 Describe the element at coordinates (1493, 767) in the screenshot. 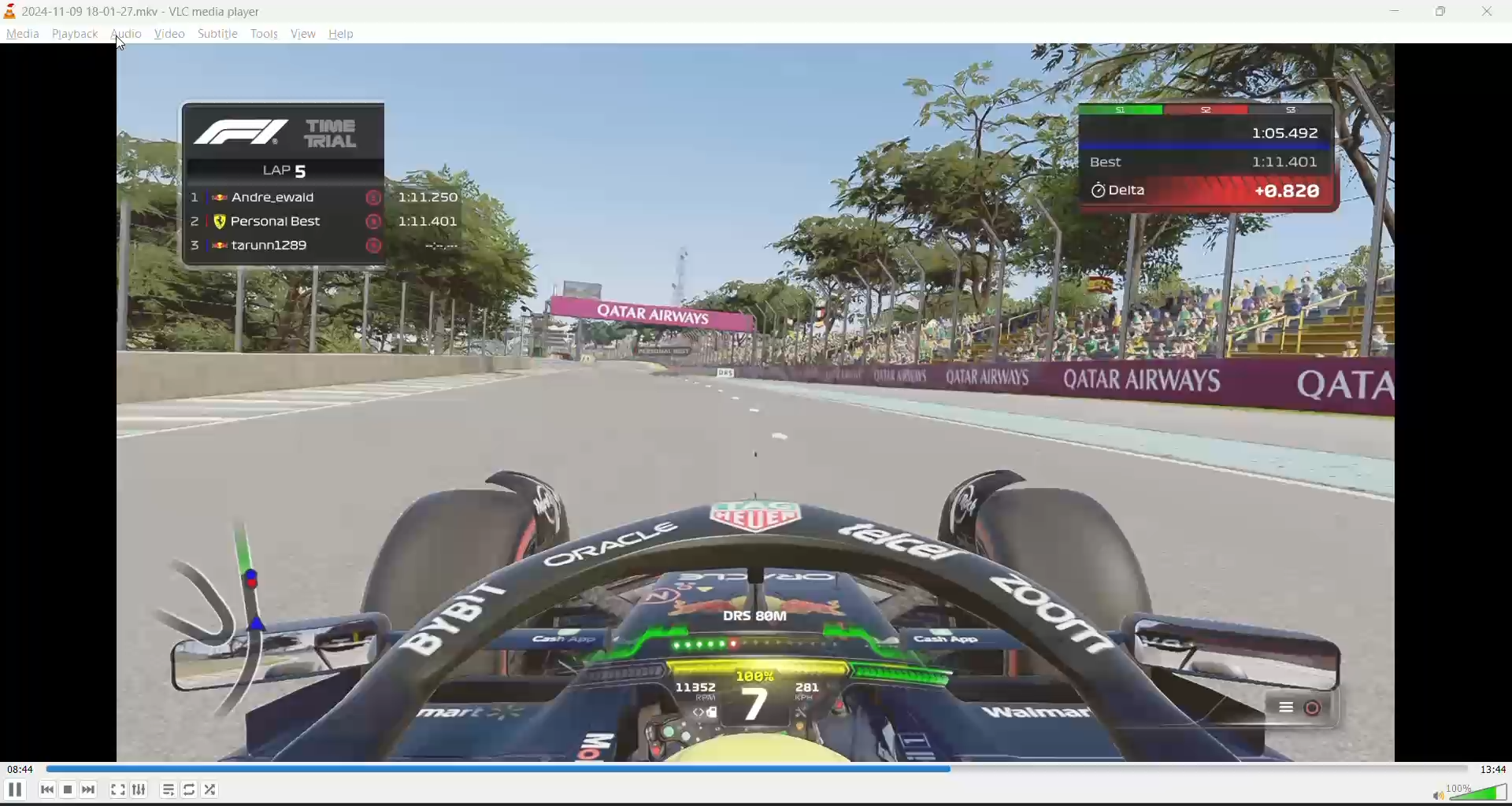

I see `total track time` at that location.